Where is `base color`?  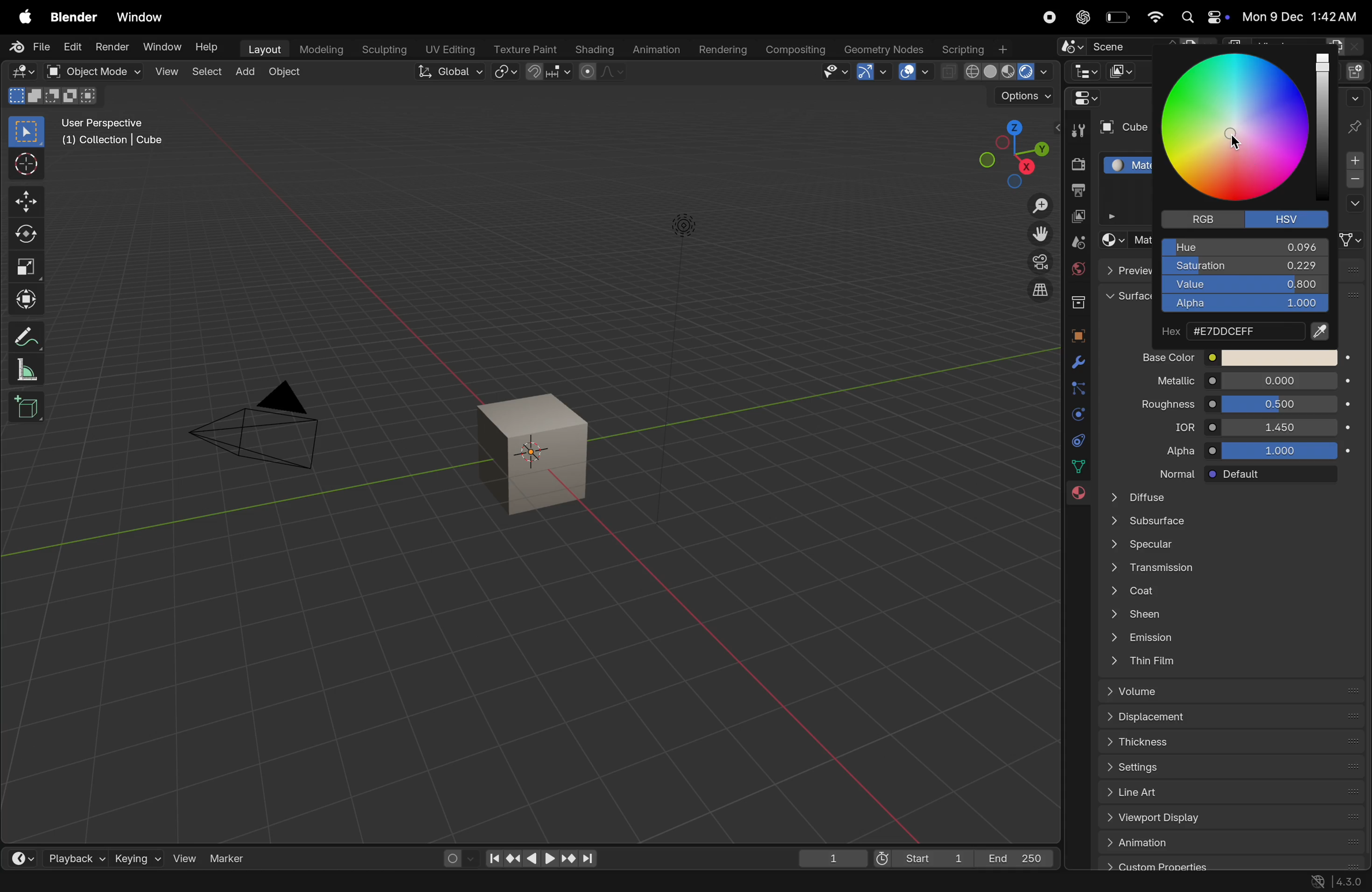 base color is located at coordinates (1160, 357).